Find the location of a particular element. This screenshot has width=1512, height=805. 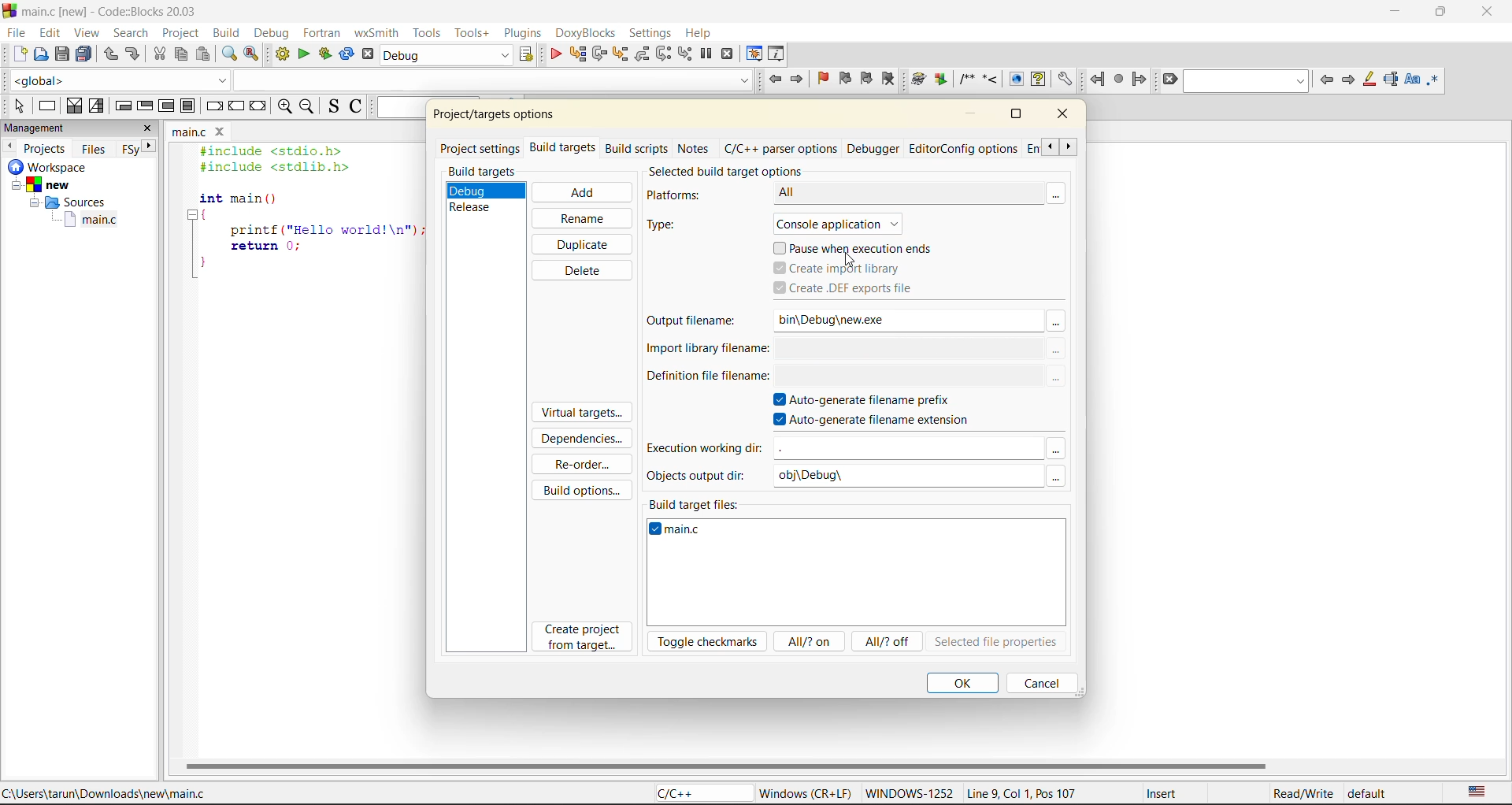

zoom out is located at coordinates (308, 108).